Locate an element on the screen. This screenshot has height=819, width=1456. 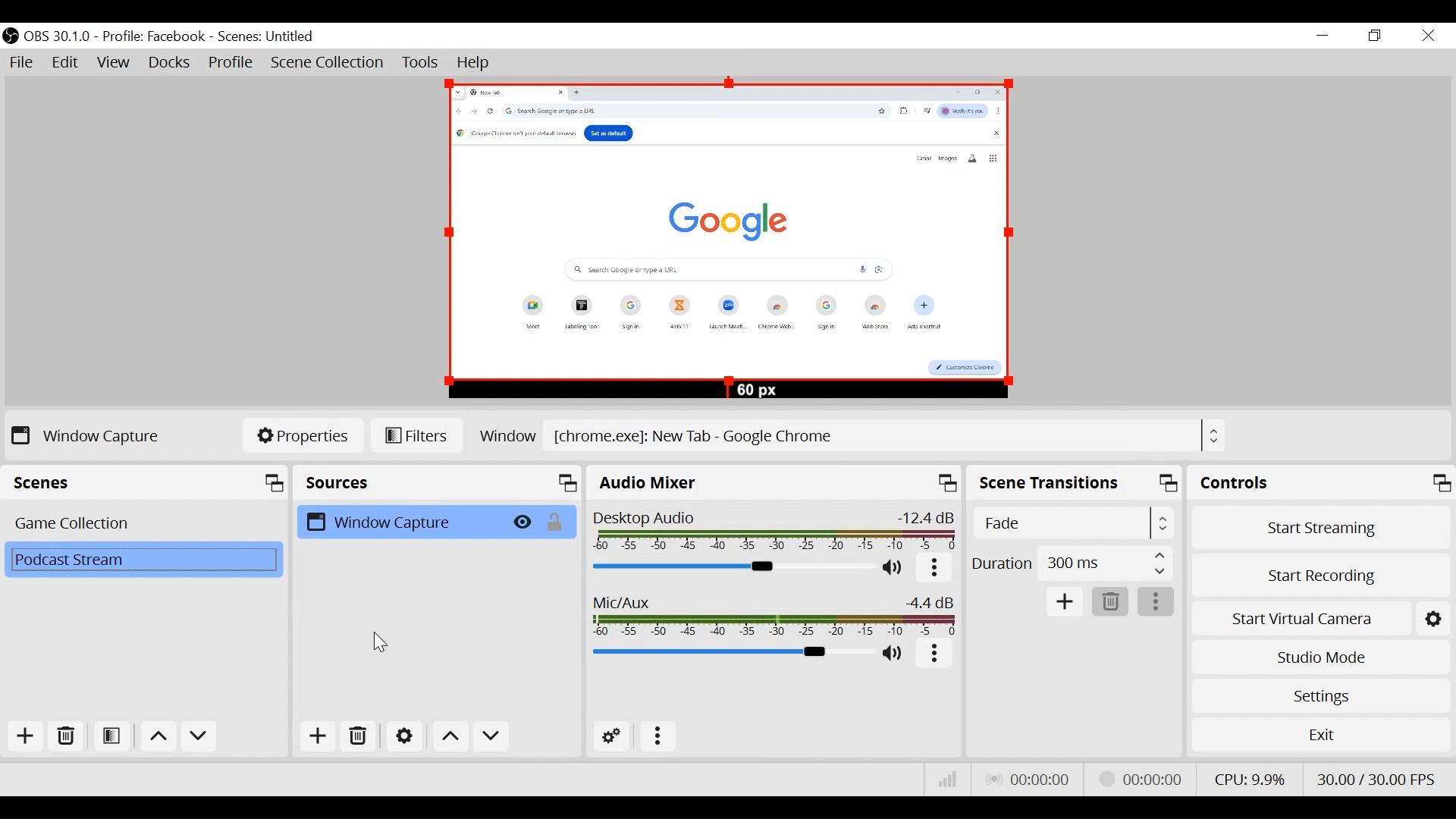
(un)lock is located at coordinates (558, 522).